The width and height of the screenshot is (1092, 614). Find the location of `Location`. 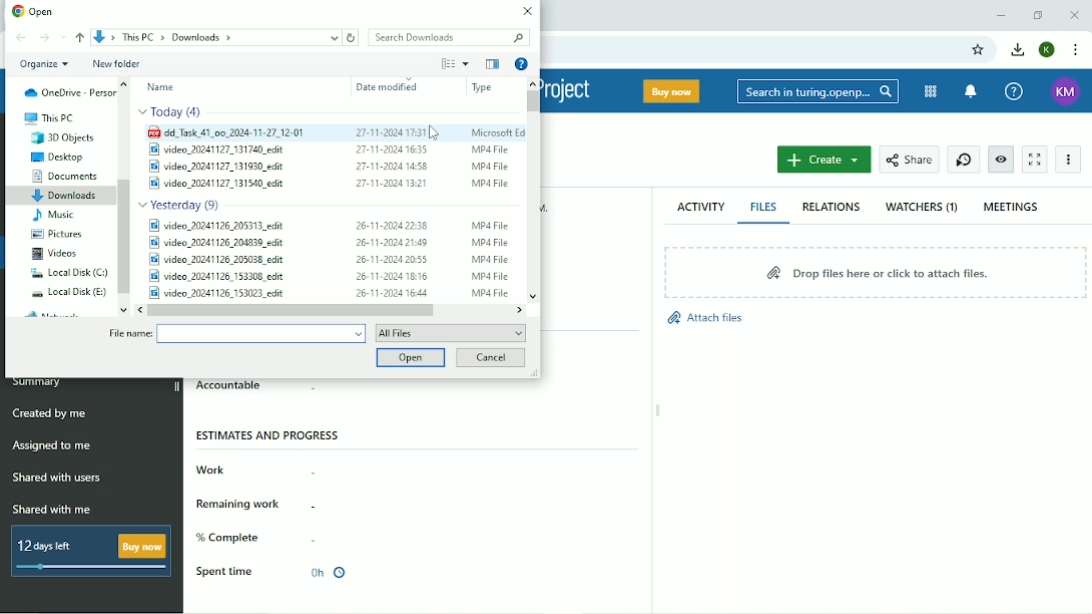

Location is located at coordinates (215, 37).